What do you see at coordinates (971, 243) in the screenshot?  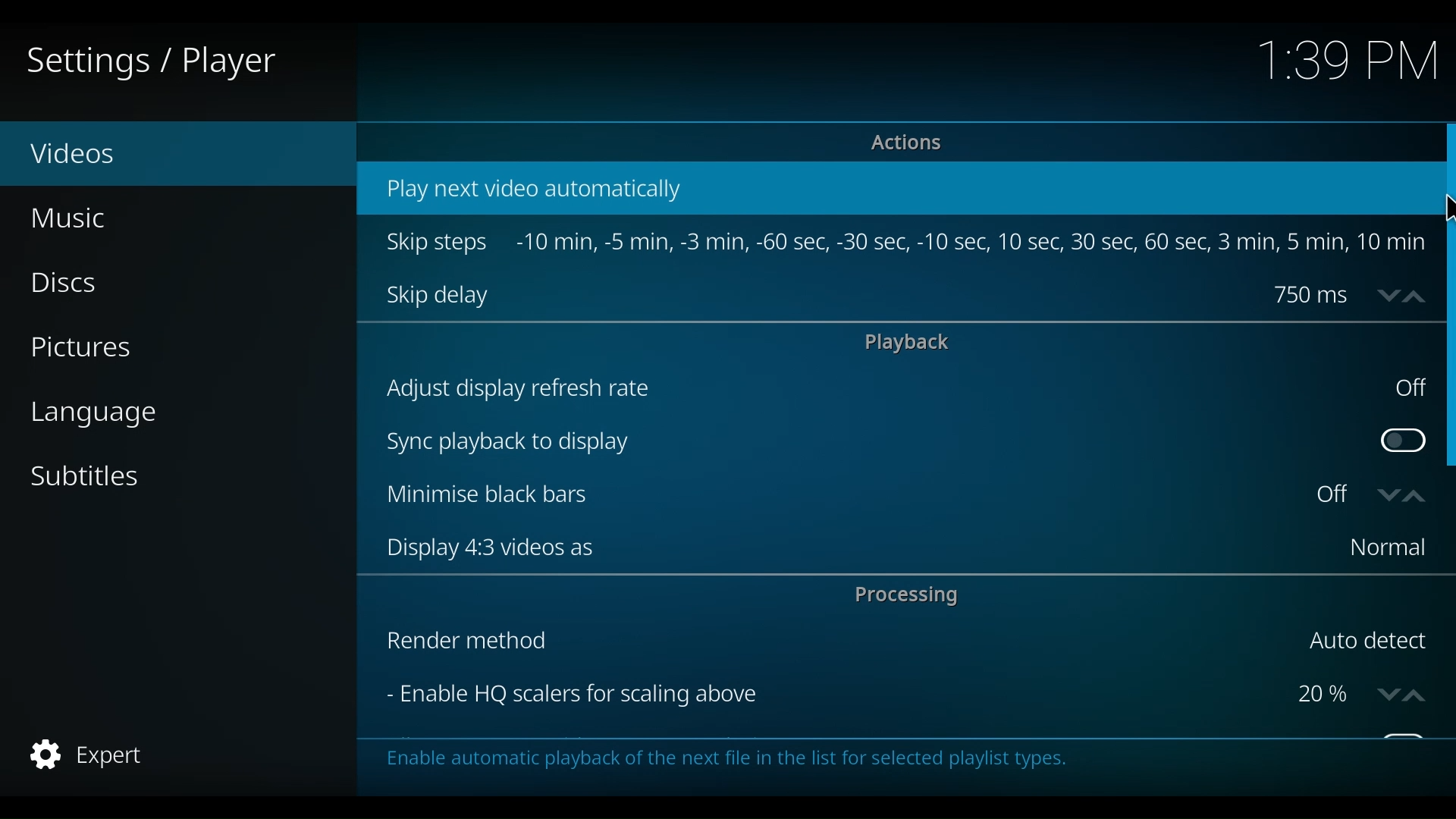 I see `-10 min, -5 min, -3min, -60sec, -30sec, -10sec, -10sec, 10se, 30sec, 60sec, 3min, 5min, 10 min` at bounding box center [971, 243].